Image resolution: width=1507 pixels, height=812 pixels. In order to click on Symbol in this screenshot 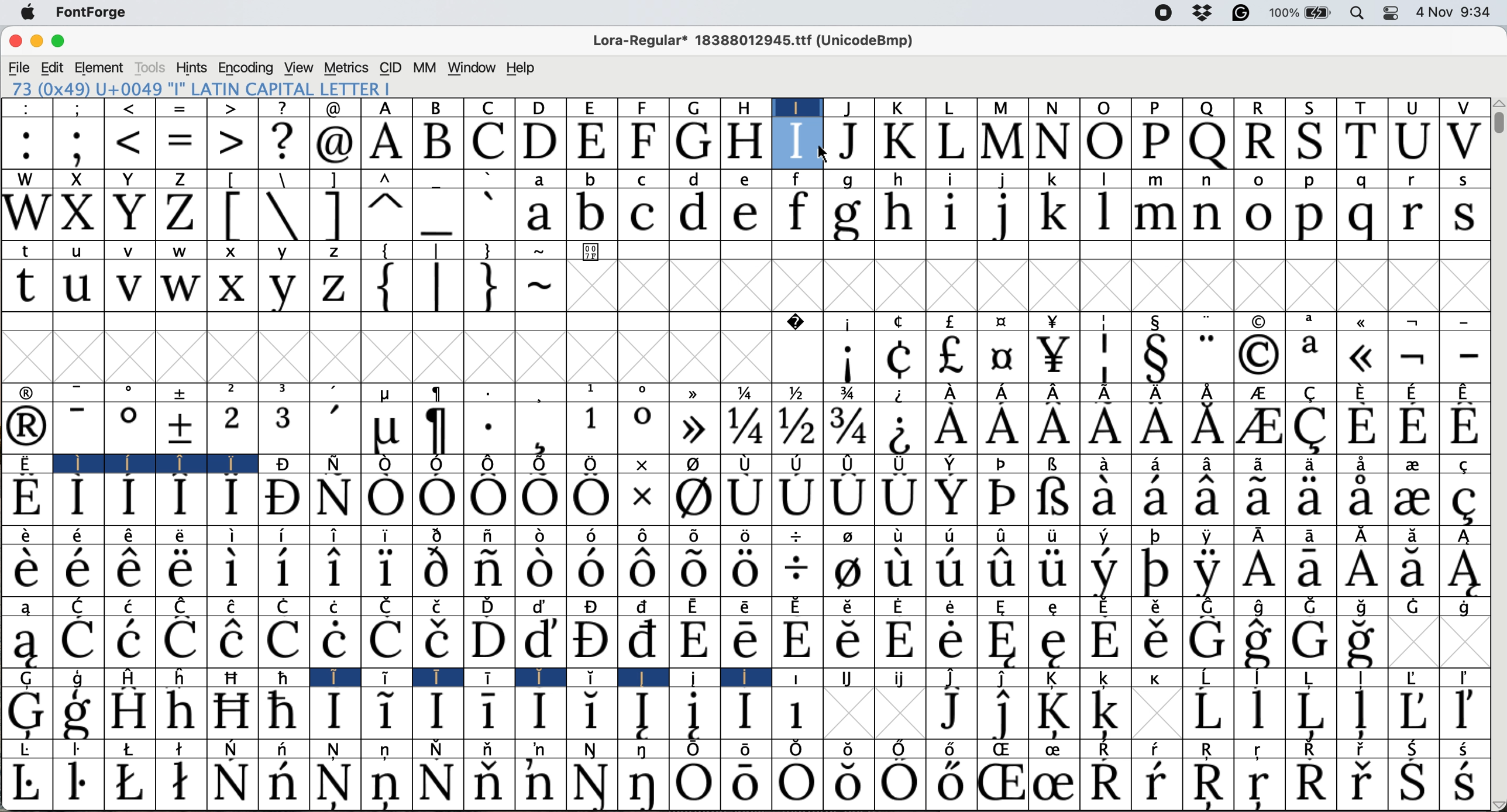, I will do `click(129, 570)`.